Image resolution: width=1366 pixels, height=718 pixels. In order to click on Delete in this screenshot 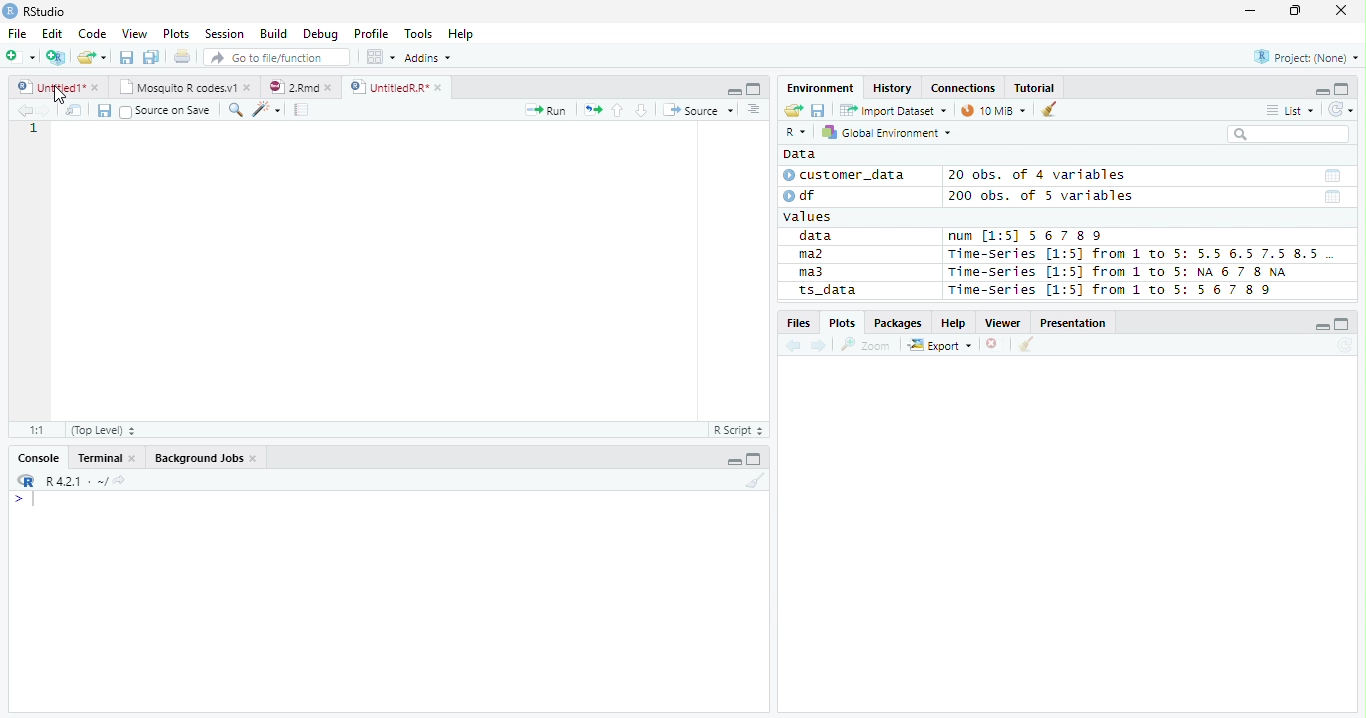, I will do `click(995, 345)`.